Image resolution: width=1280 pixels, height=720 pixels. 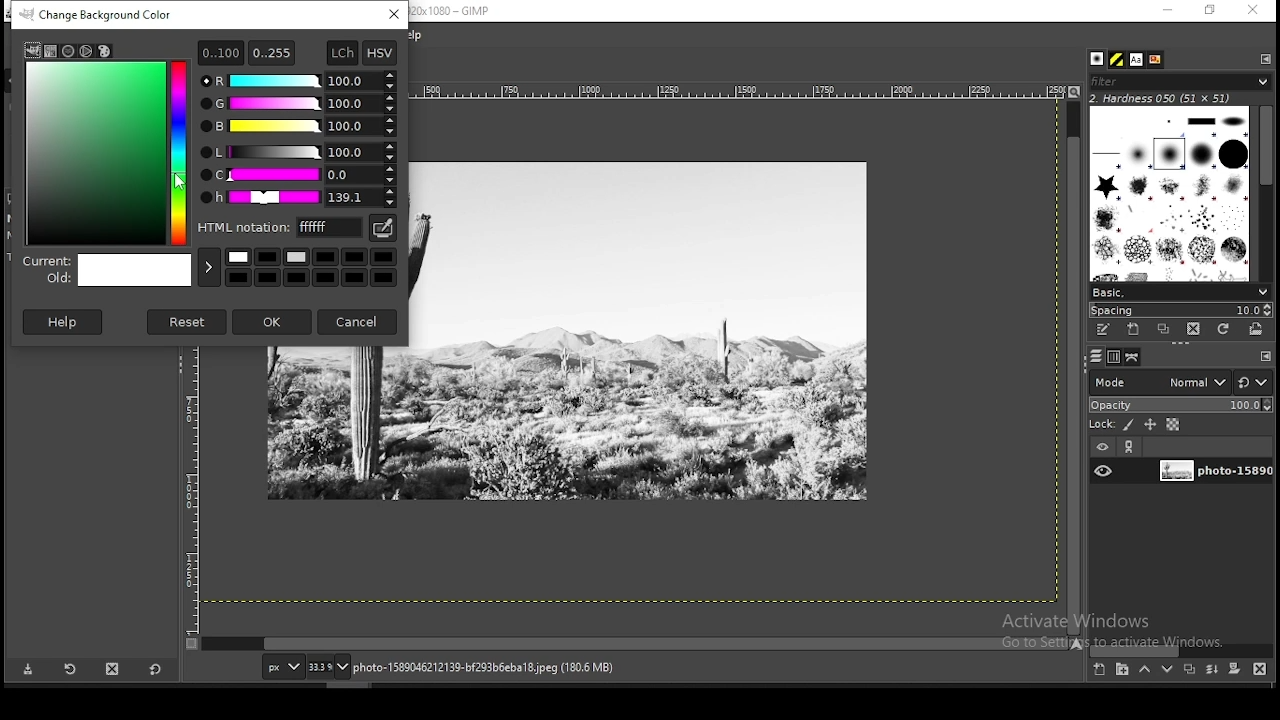 What do you see at coordinates (1150, 424) in the screenshot?
I see `lock size and position` at bounding box center [1150, 424].